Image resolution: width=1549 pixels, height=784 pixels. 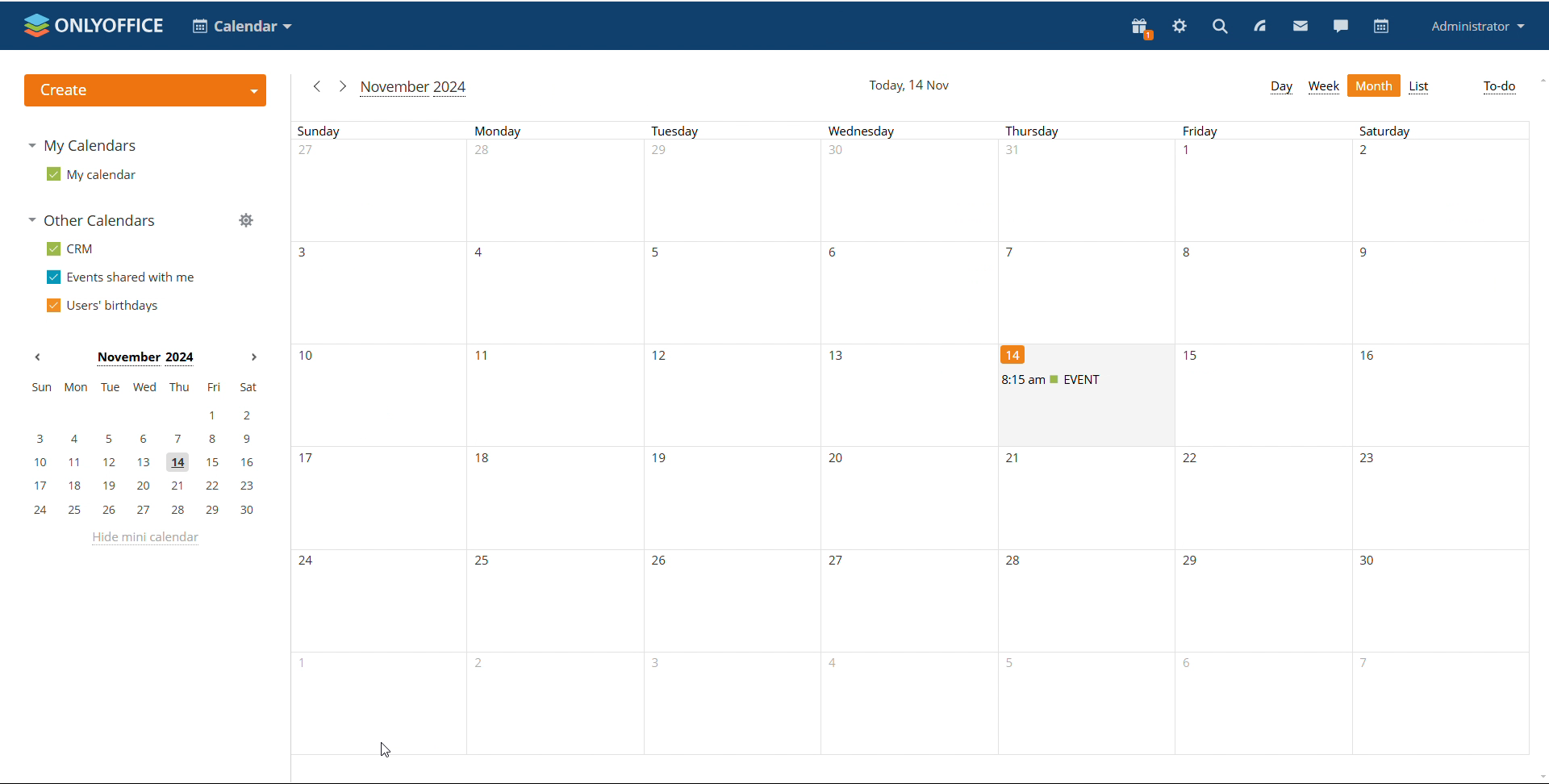 What do you see at coordinates (148, 541) in the screenshot?
I see `hide mini calendar` at bounding box center [148, 541].